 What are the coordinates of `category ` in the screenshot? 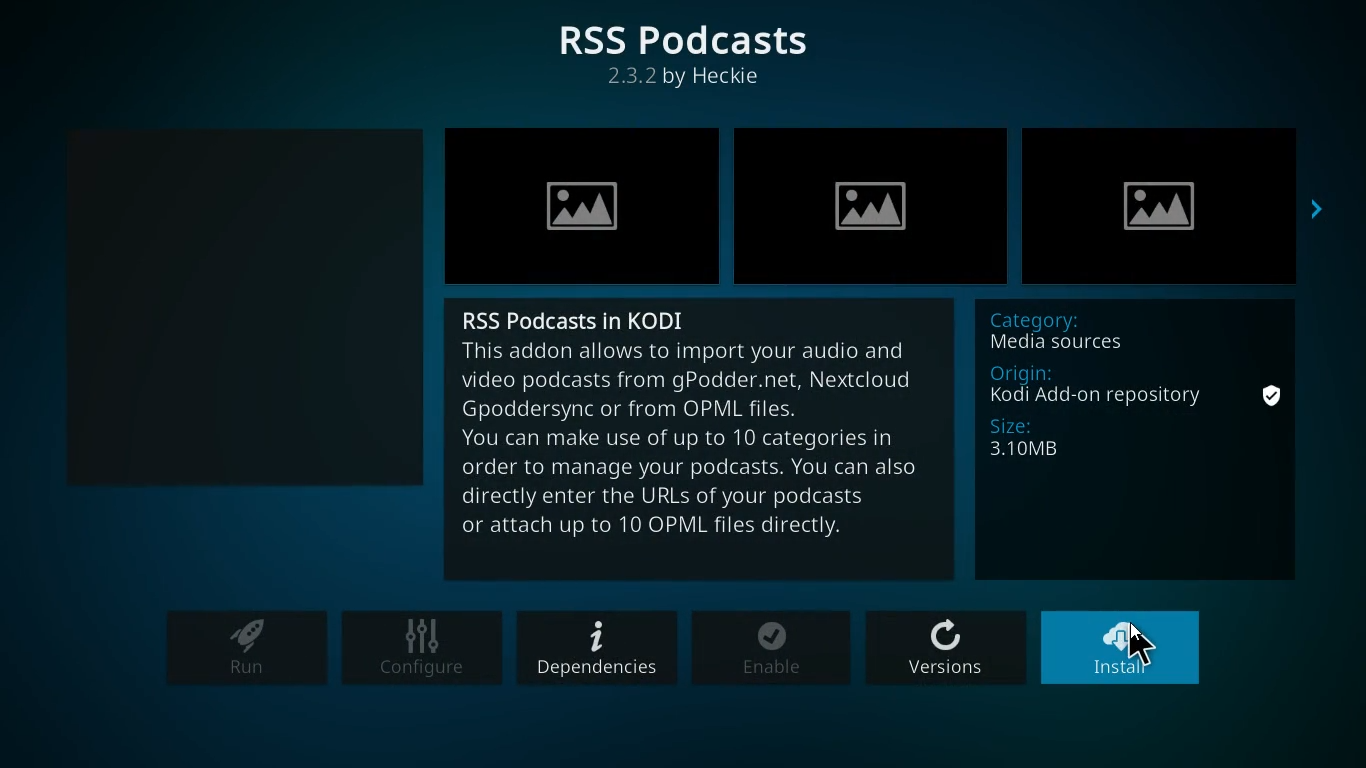 It's located at (1097, 331).